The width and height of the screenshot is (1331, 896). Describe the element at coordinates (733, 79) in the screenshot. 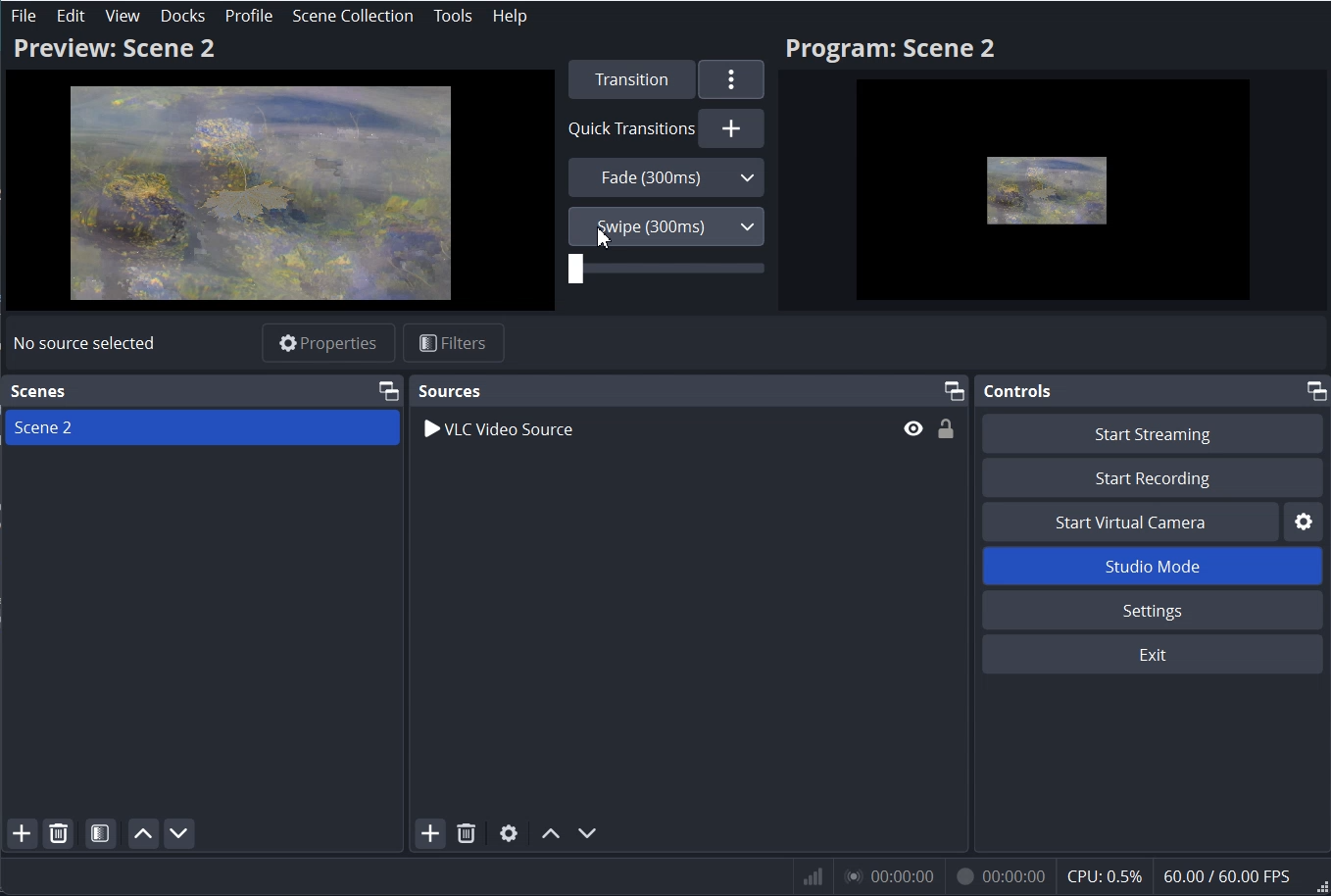

I see `More` at that location.